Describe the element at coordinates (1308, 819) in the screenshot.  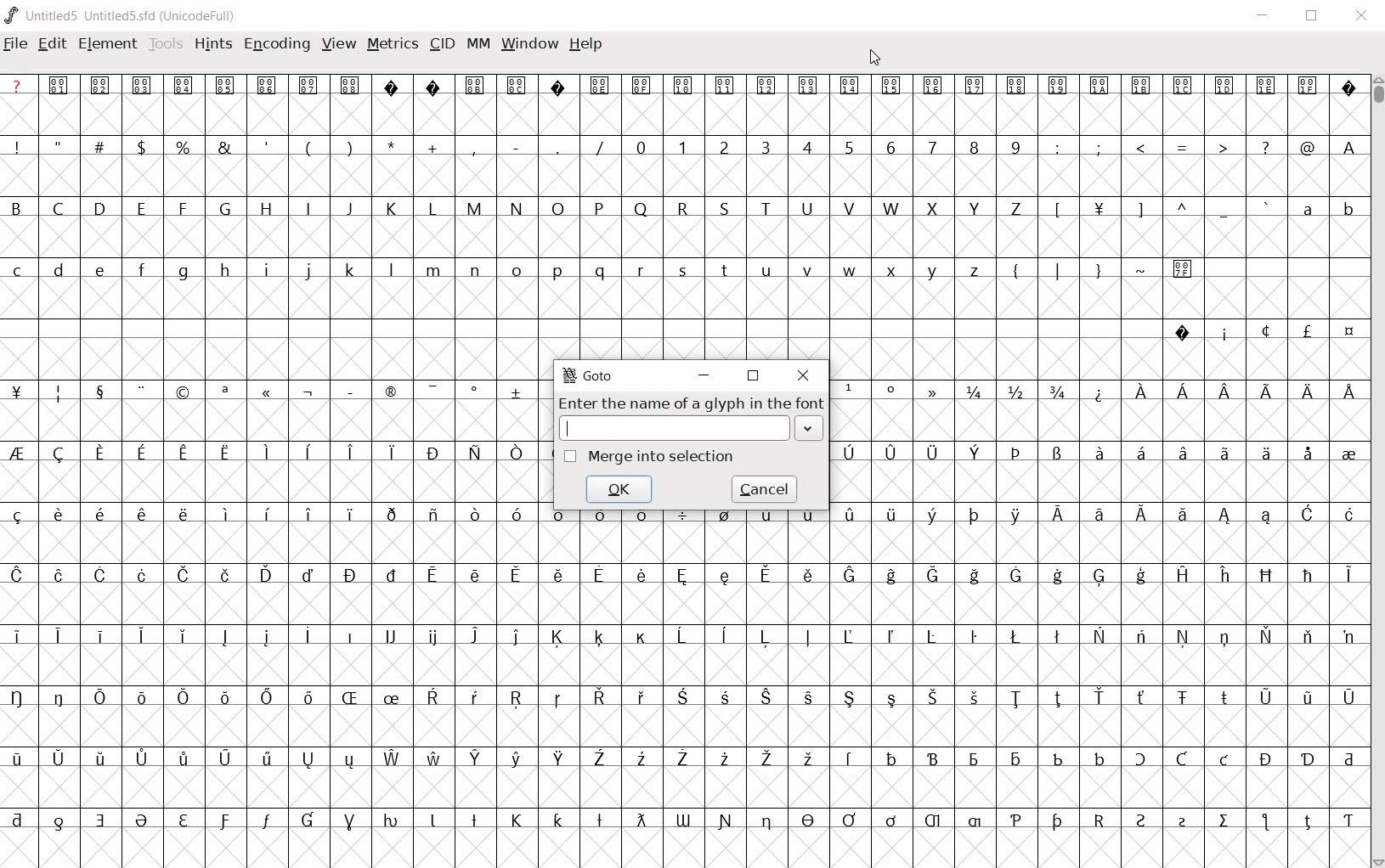
I see `Symbol` at that location.